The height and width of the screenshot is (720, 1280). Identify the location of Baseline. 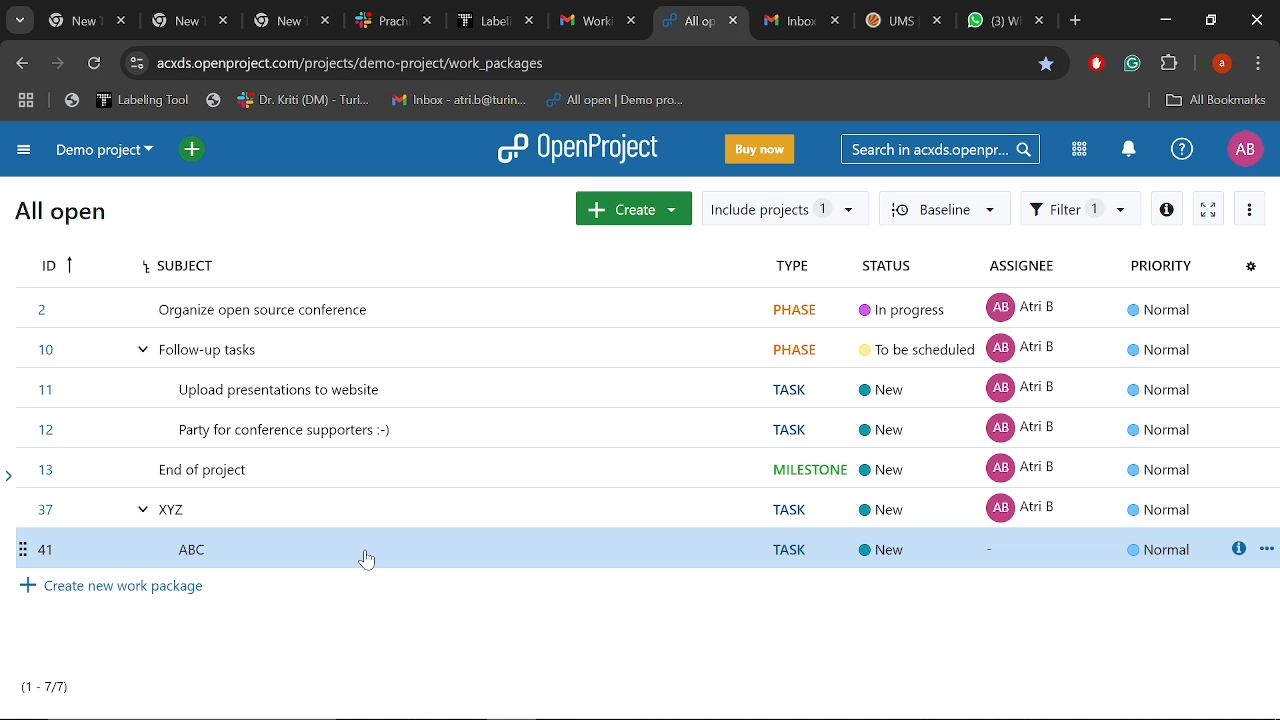
(948, 210).